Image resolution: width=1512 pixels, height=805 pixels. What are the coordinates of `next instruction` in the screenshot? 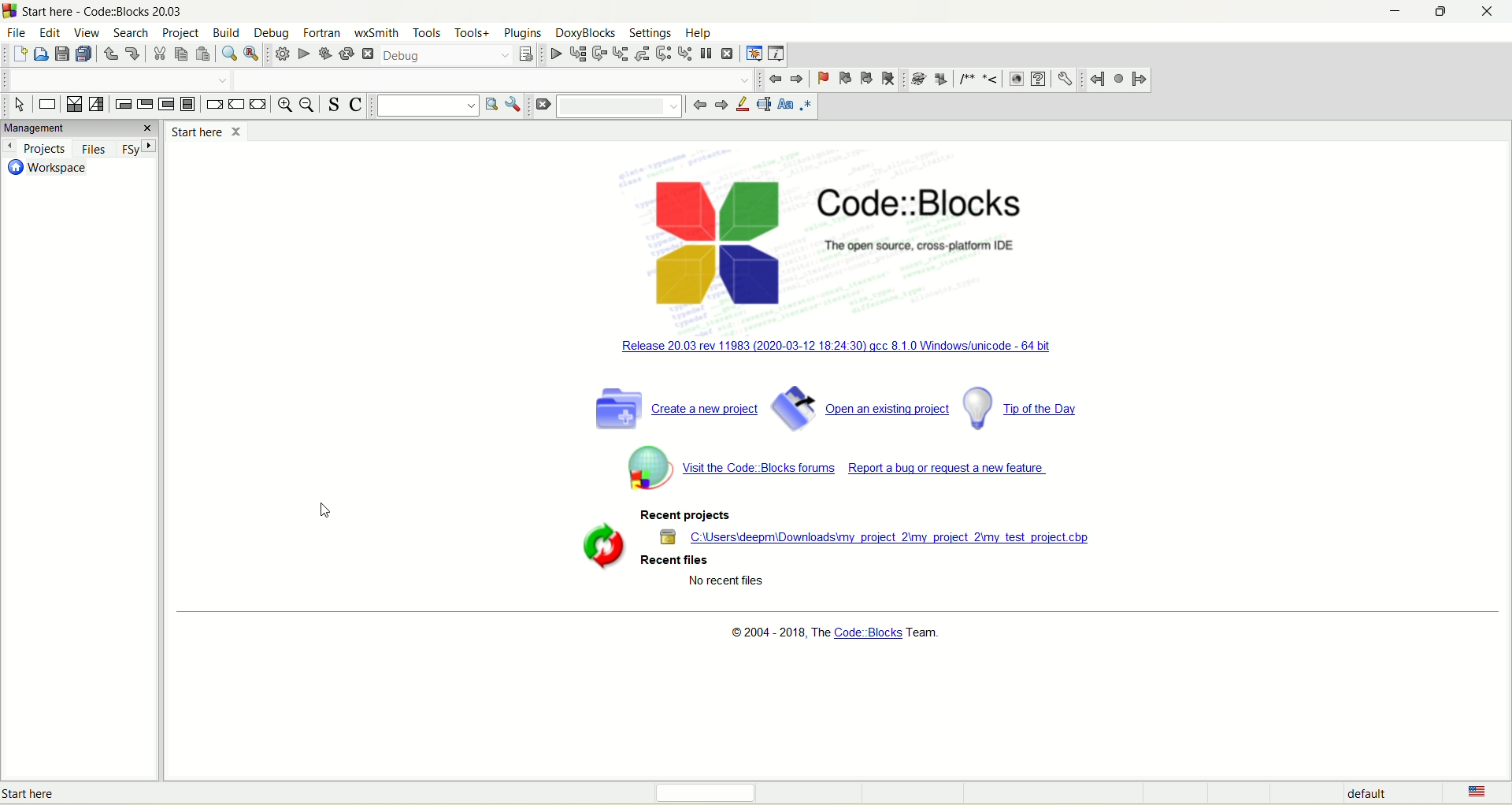 It's located at (665, 54).